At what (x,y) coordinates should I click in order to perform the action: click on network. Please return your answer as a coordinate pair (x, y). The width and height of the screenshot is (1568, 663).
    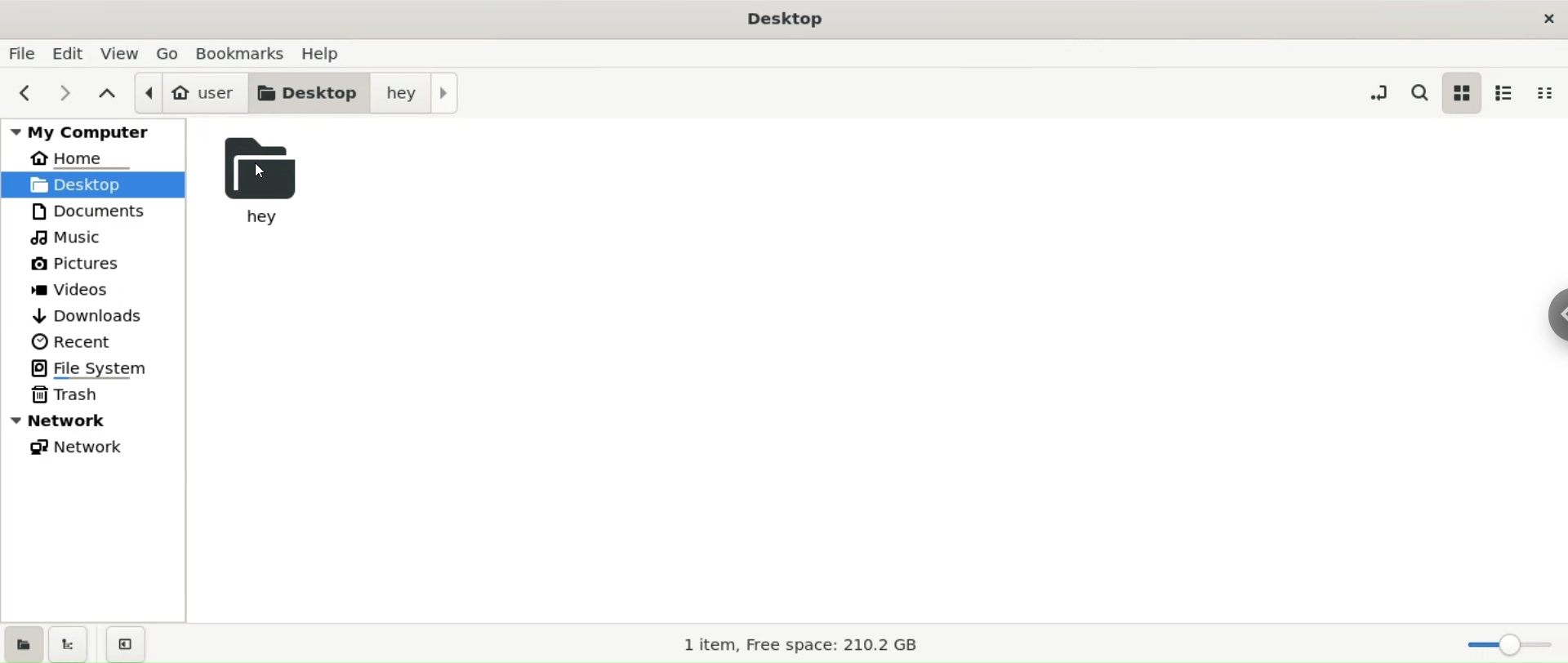
    Looking at the image, I should click on (95, 447).